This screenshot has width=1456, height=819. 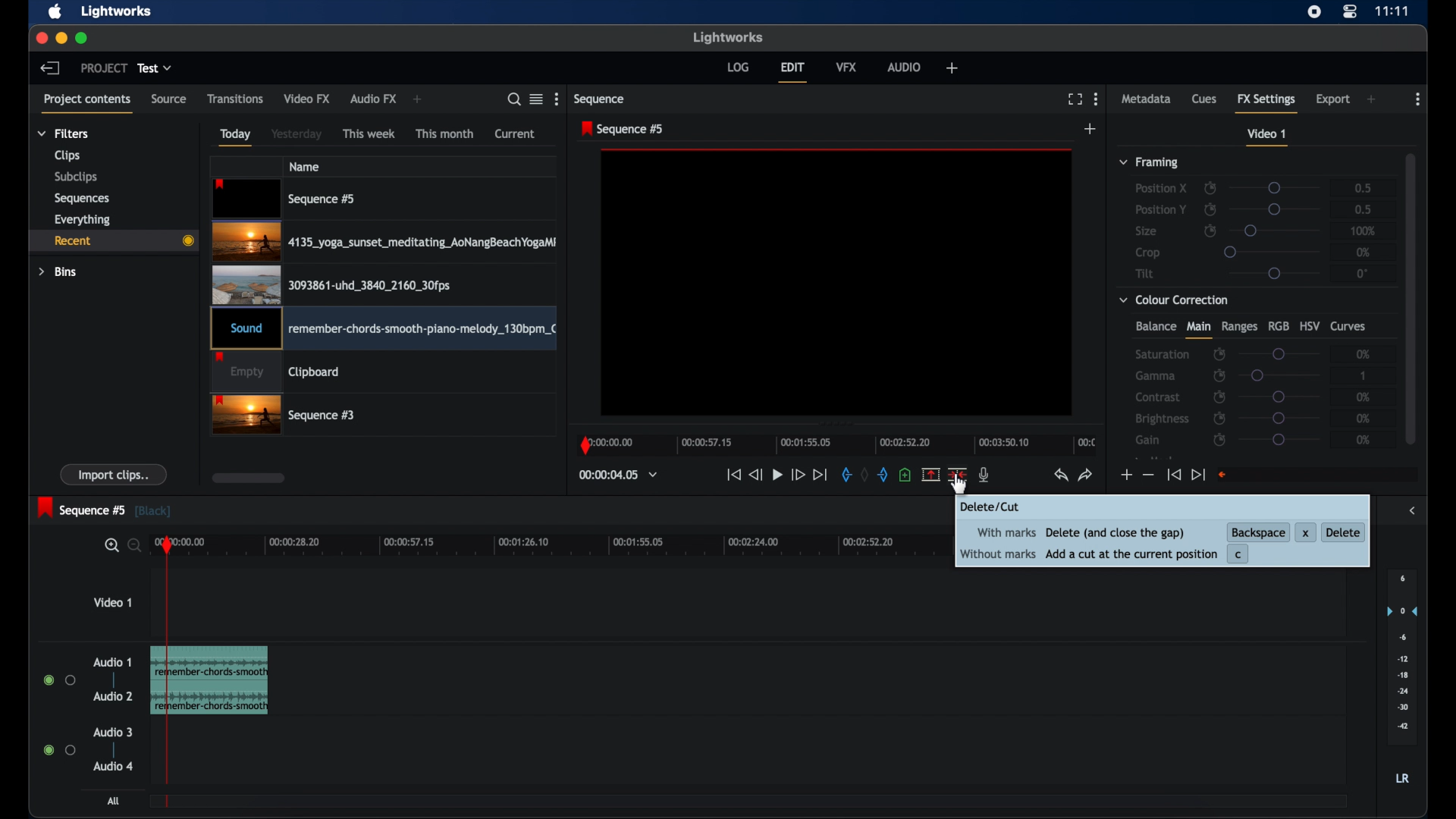 What do you see at coordinates (1003, 533) in the screenshot?
I see `with marks` at bounding box center [1003, 533].